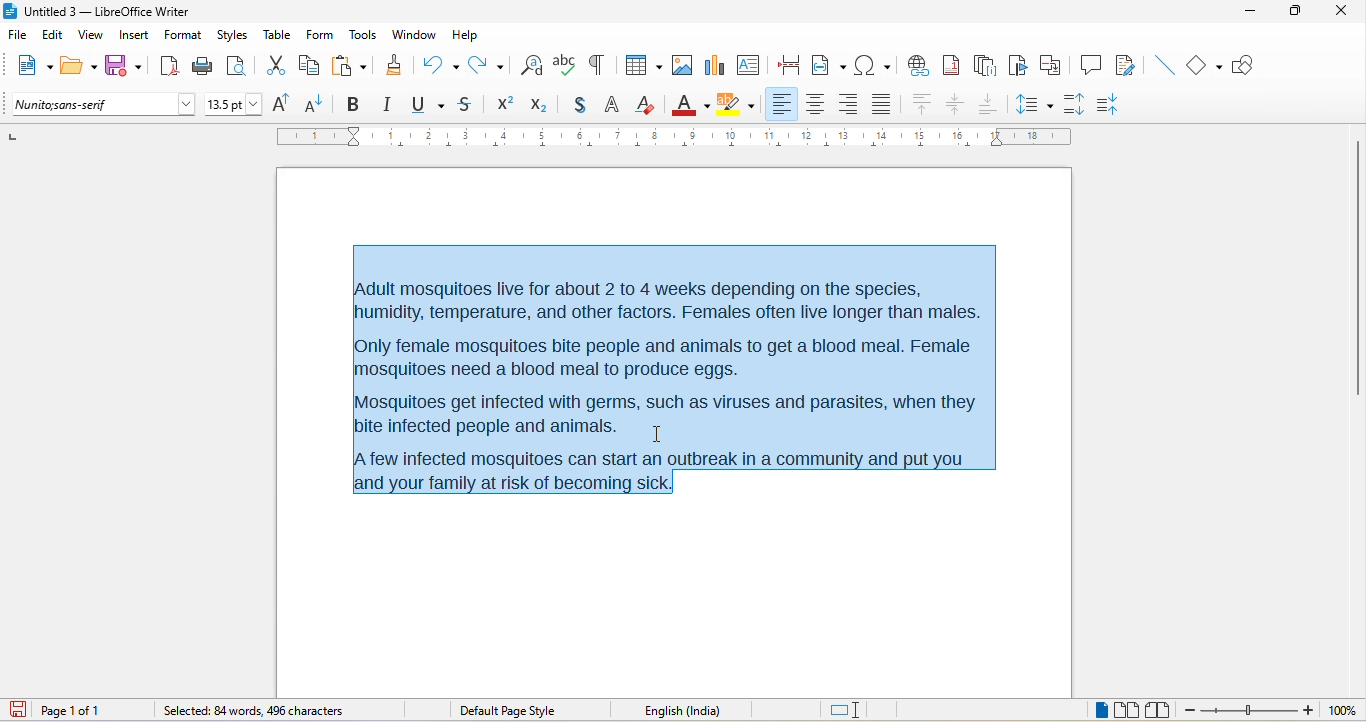  Describe the element at coordinates (1129, 66) in the screenshot. I see `show track changes function` at that location.